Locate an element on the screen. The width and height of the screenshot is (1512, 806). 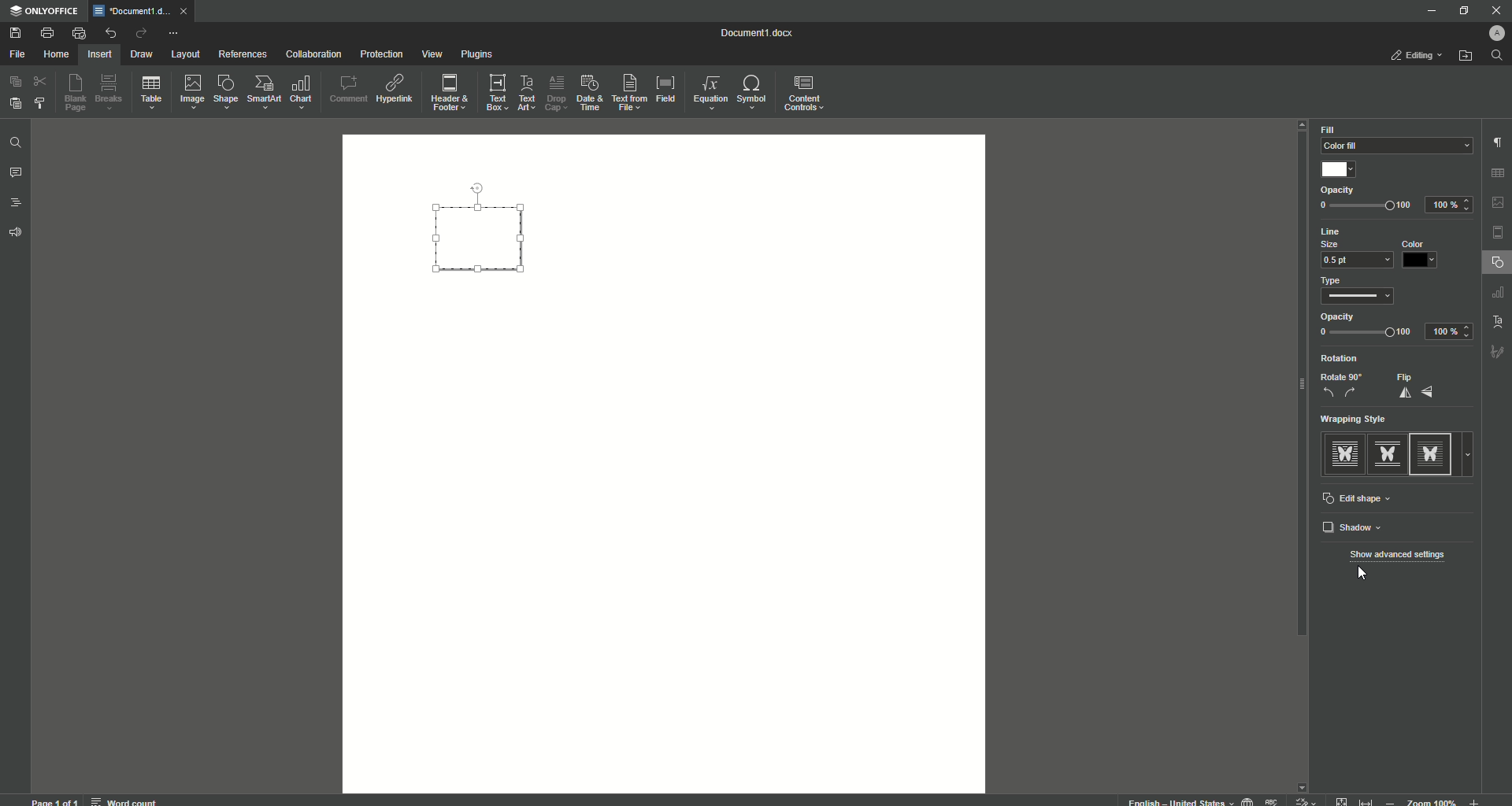
Search is located at coordinates (1497, 56).